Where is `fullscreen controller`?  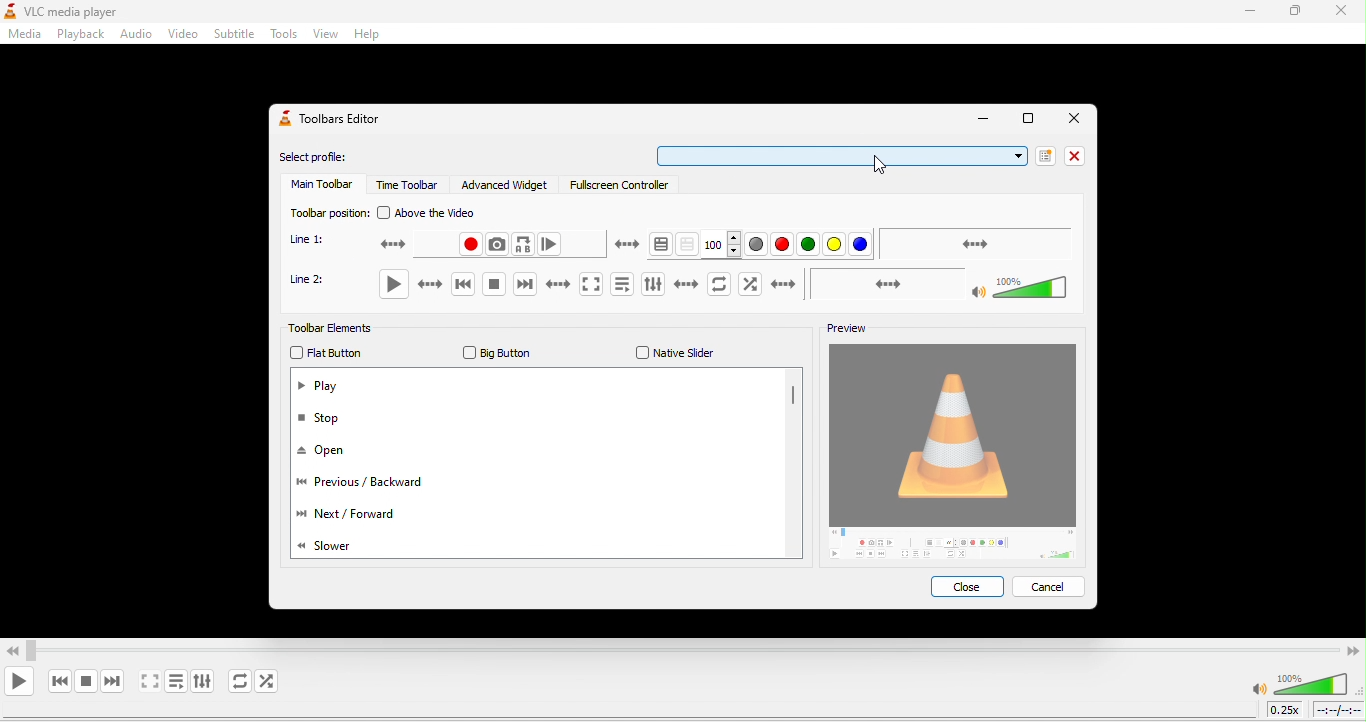 fullscreen controller is located at coordinates (619, 188).